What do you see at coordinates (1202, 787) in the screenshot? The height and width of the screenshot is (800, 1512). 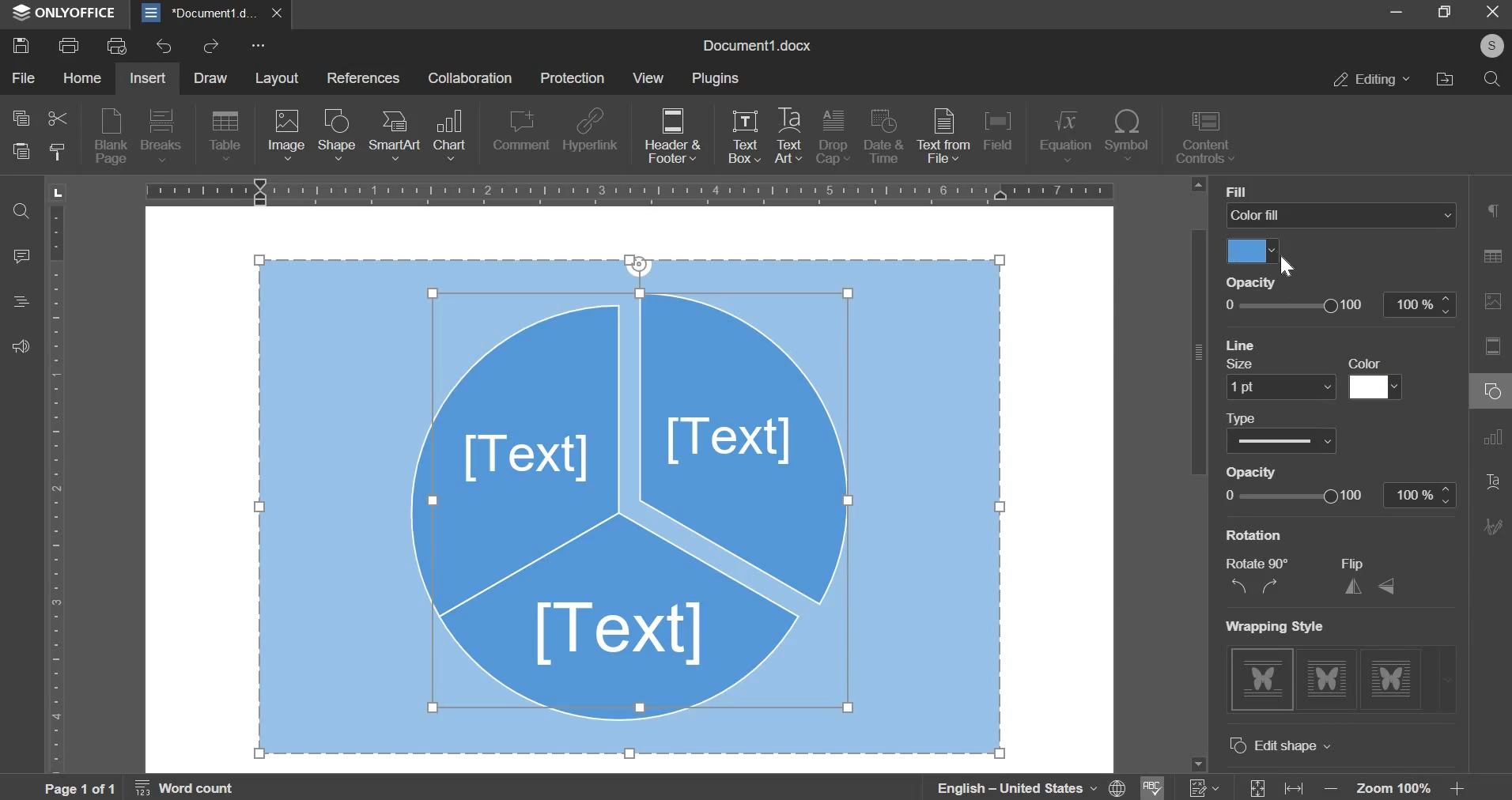 I see `track changes` at bounding box center [1202, 787].